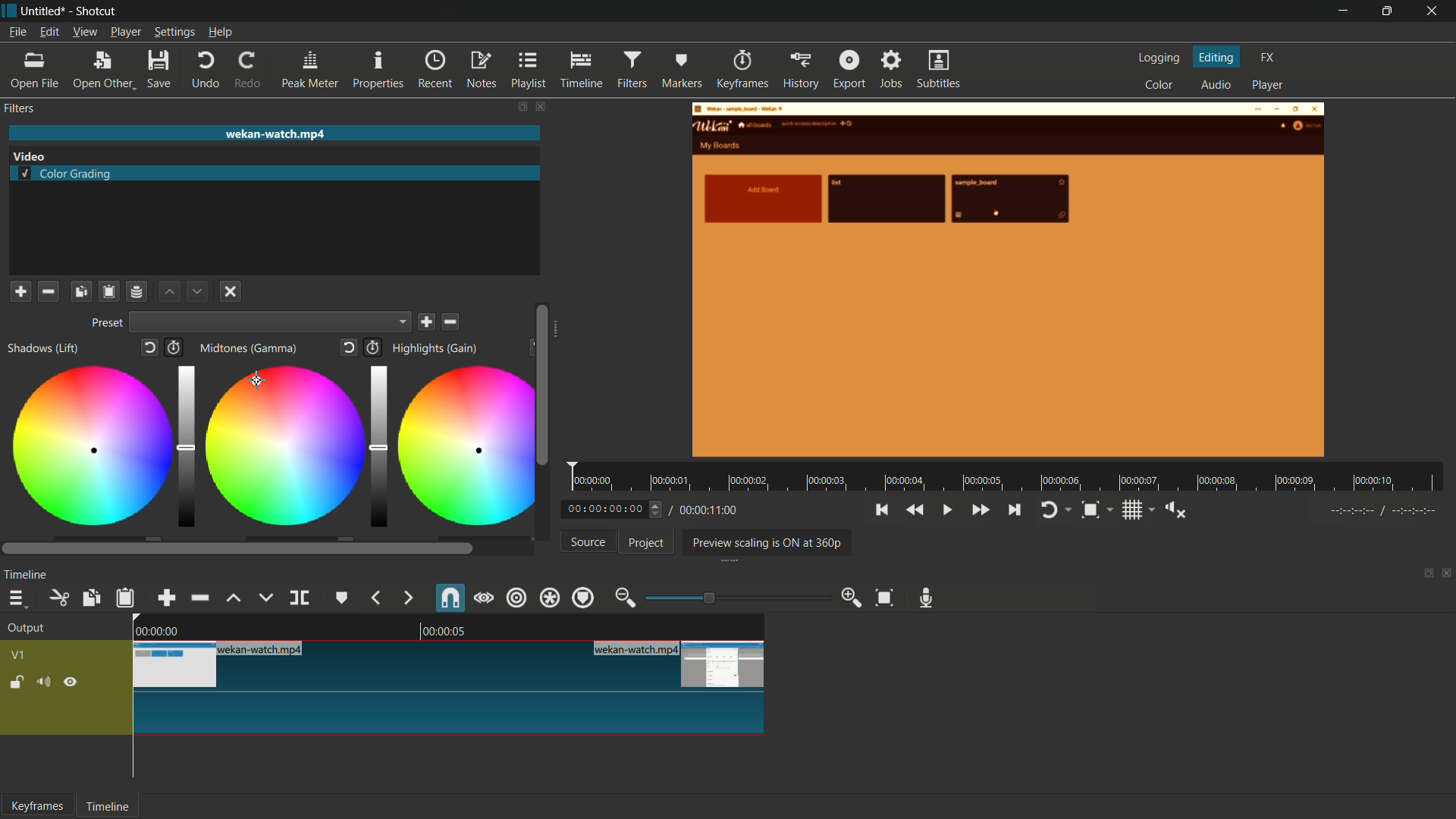  Describe the element at coordinates (265, 597) in the screenshot. I see `overwrite` at that location.